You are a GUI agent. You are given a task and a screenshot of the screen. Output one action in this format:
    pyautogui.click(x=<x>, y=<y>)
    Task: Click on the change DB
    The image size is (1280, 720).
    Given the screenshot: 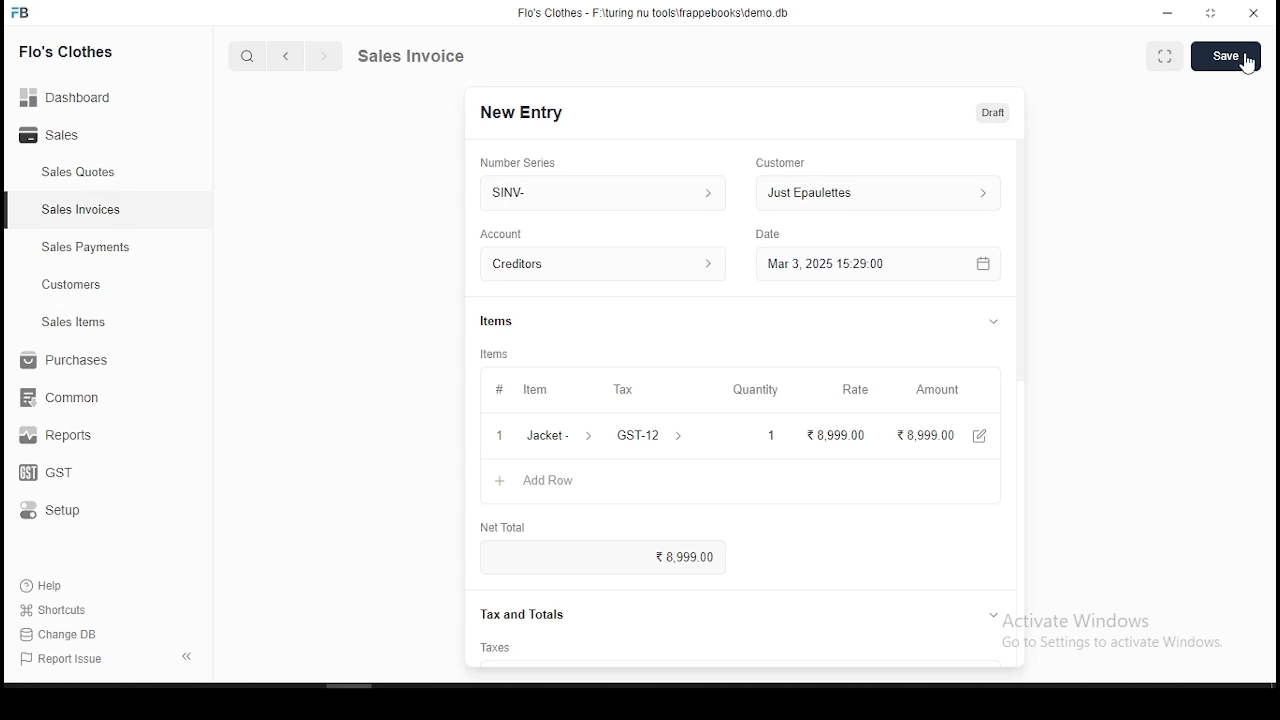 What is the action you would take?
    pyautogui.click(x=74, y=635)
    